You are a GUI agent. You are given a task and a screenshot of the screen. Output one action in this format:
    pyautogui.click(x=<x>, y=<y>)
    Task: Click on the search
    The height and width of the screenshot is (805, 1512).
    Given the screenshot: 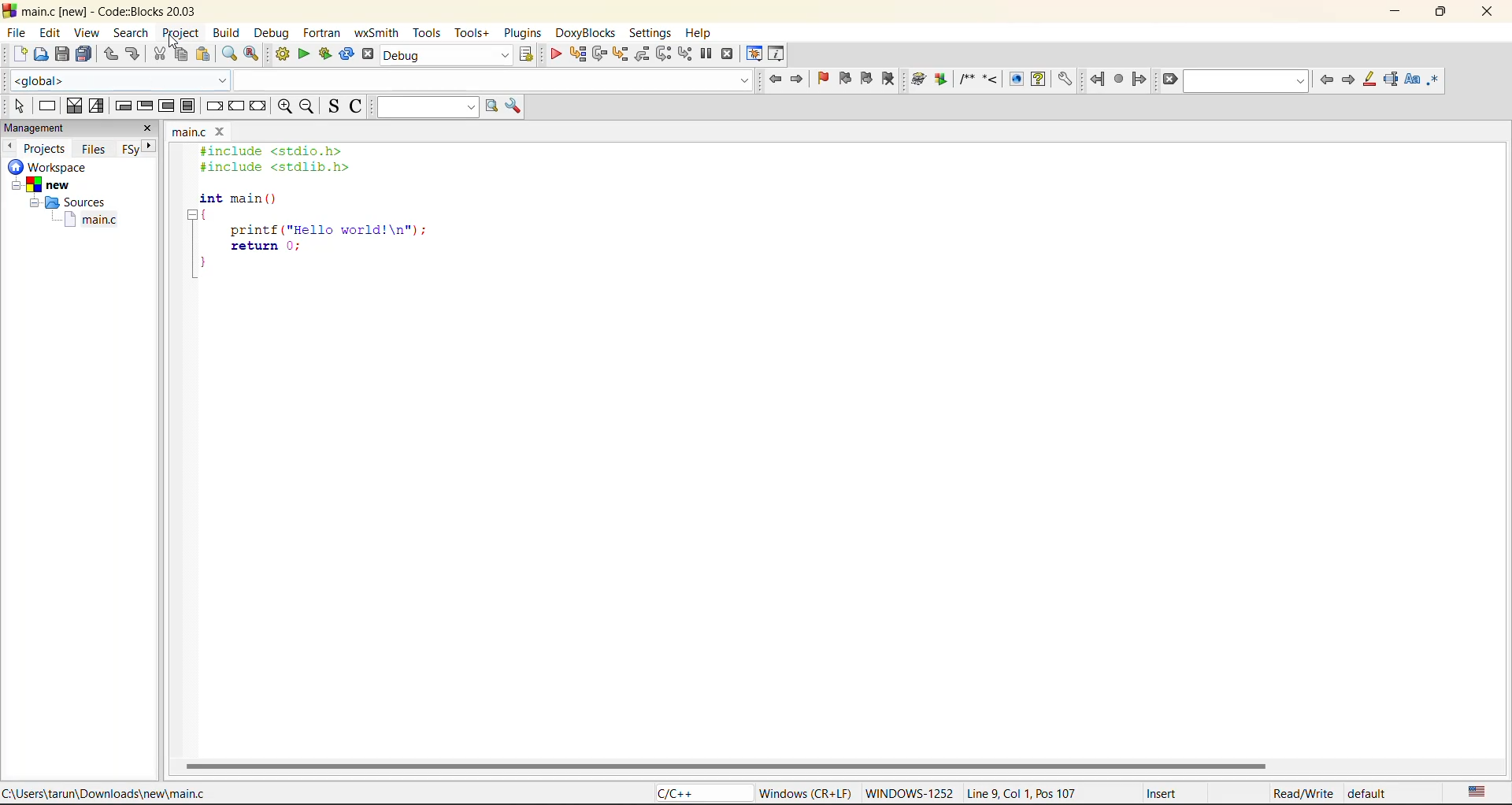 What is the action you would take?
    pyautogui.click(x=1247, y=82)
    